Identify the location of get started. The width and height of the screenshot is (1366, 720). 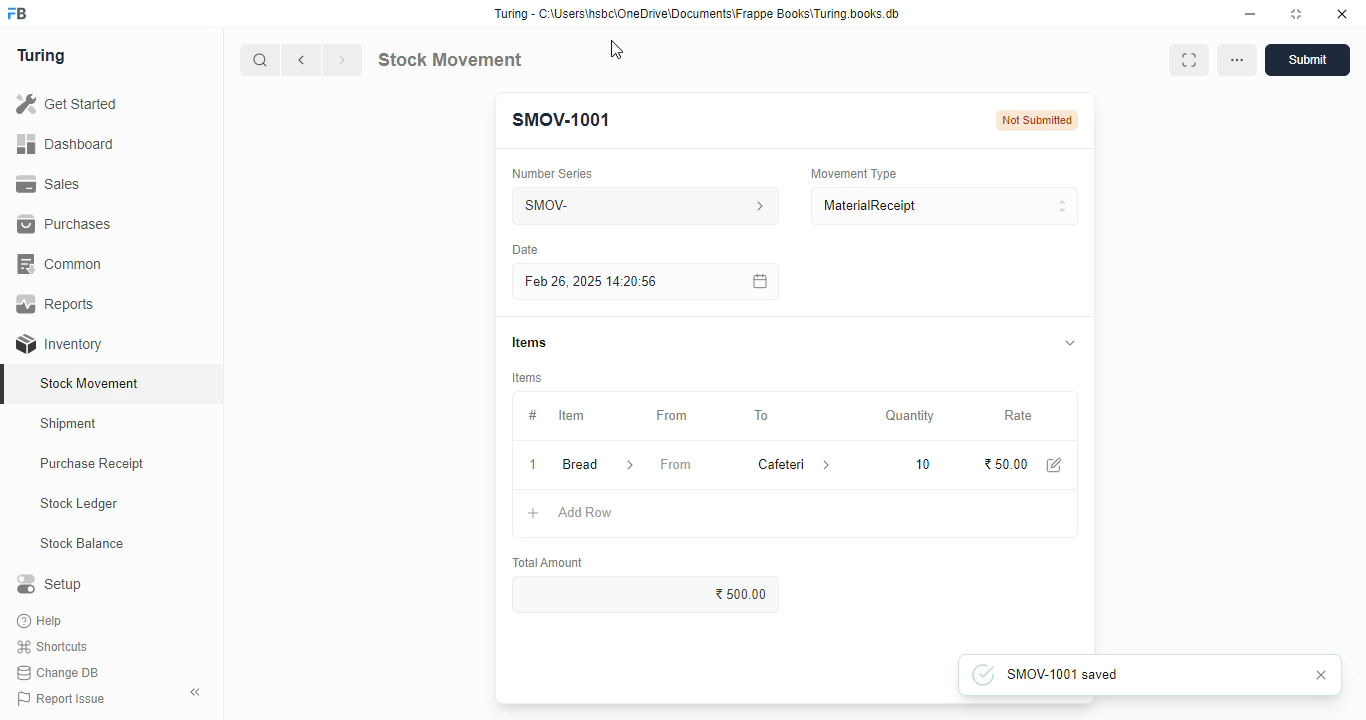
(68, 104).